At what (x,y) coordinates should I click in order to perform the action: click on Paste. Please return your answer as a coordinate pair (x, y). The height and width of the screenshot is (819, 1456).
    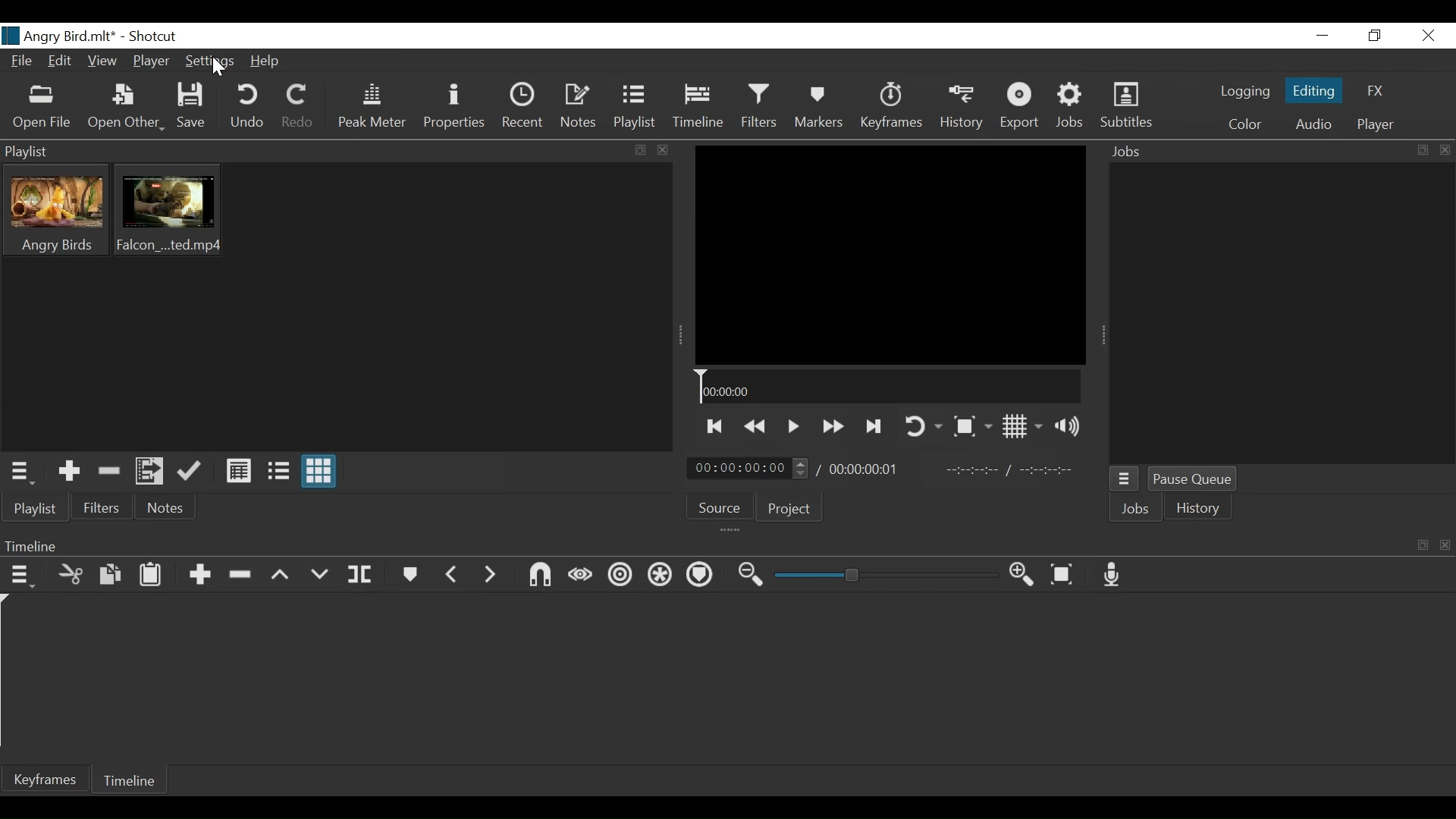
    Looking at the image, I should click on (152, 576).